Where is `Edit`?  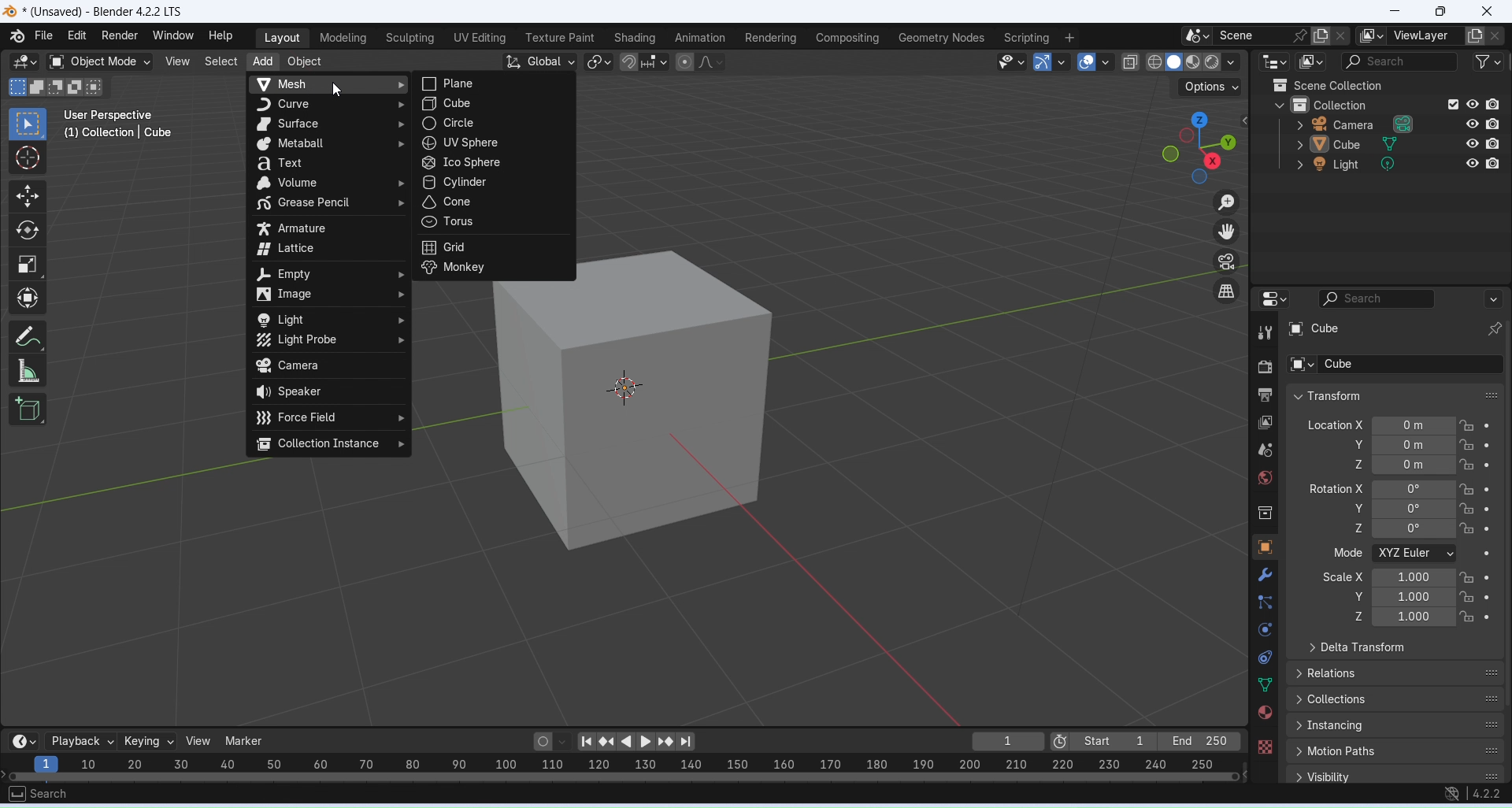
Edit is located at coordinates (78, 35).